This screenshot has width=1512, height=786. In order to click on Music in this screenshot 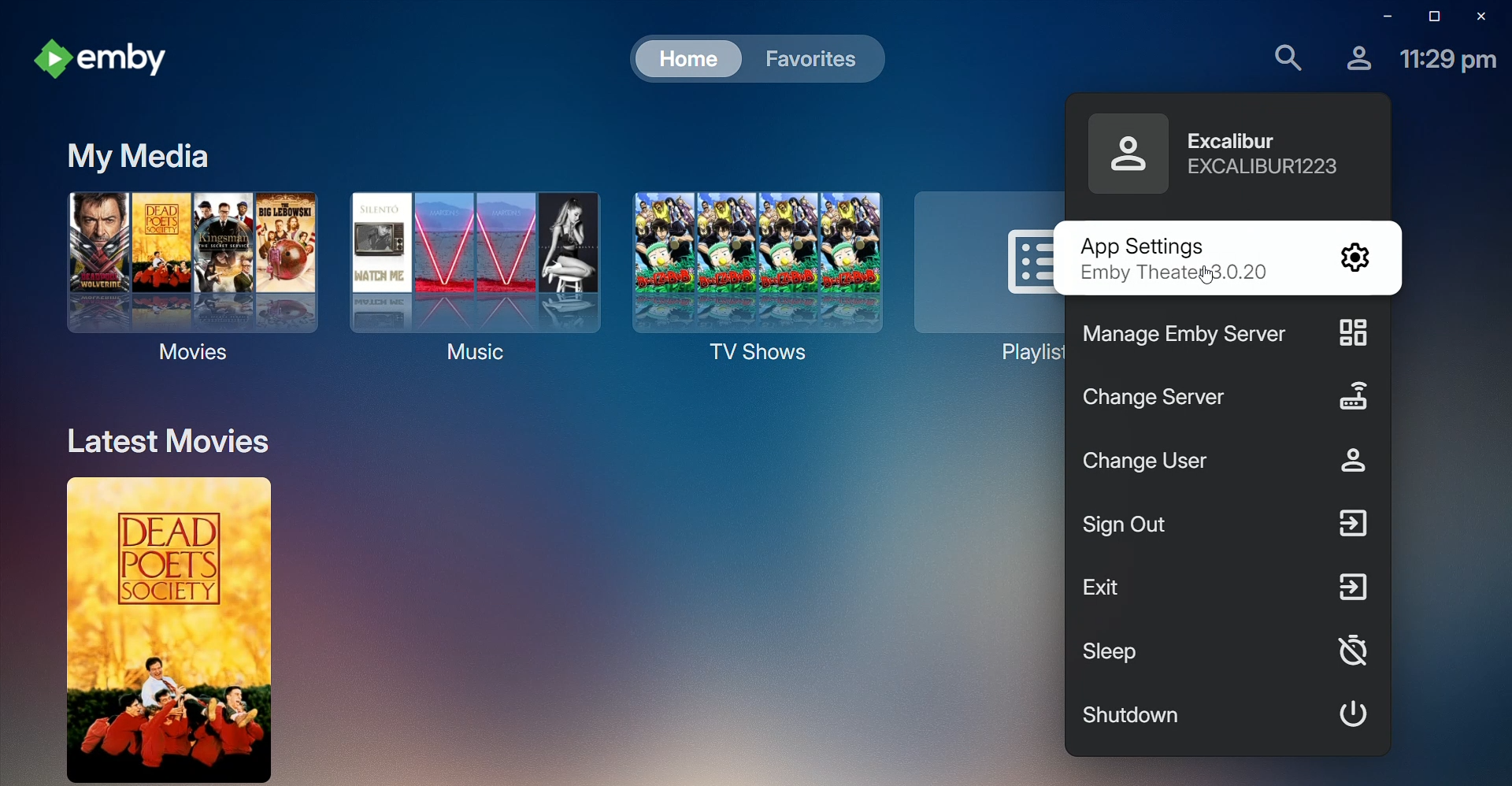, I will do `click(468, 269)`.